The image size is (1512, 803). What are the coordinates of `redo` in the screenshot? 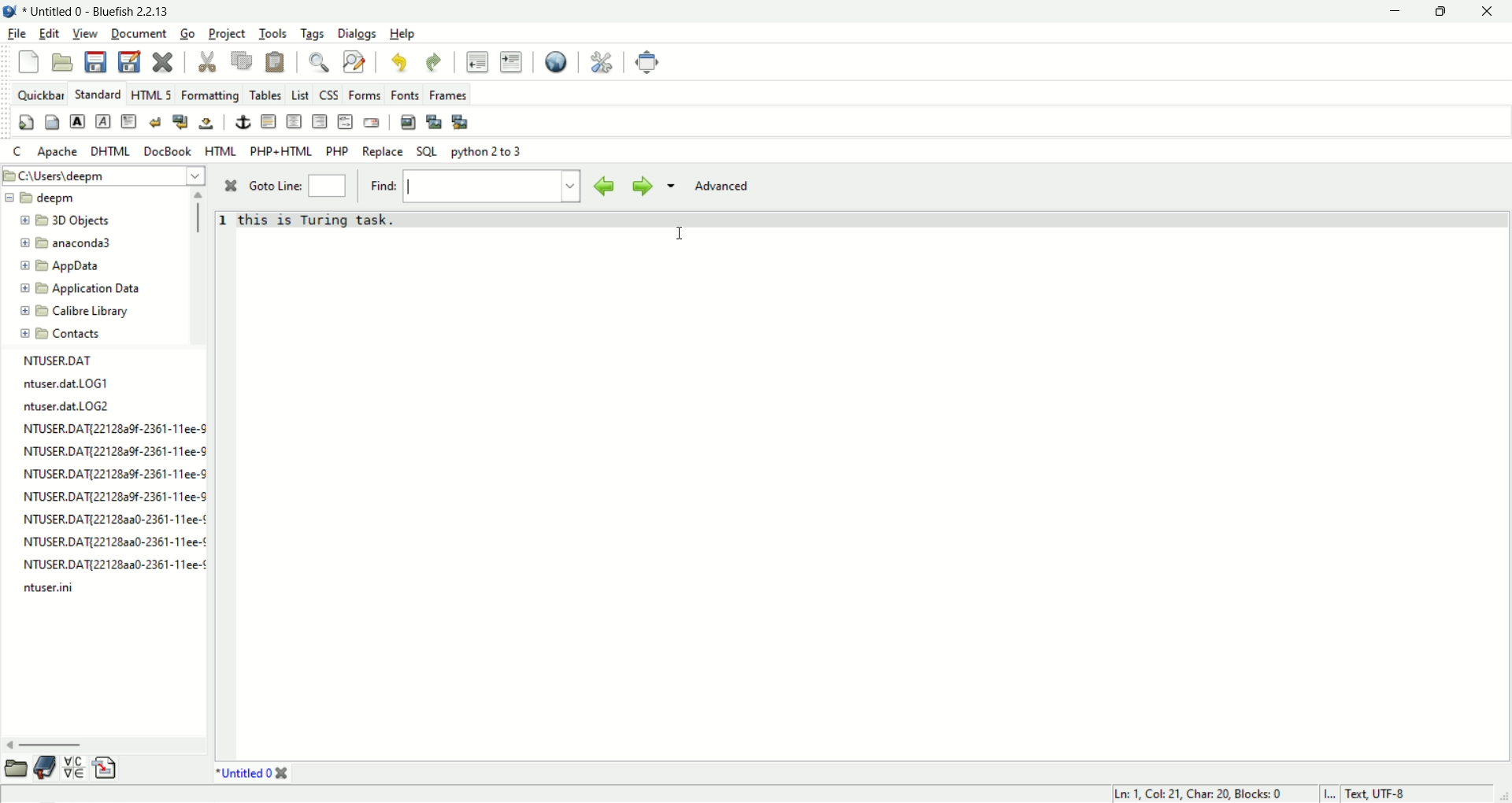 It's located at (431, 61).